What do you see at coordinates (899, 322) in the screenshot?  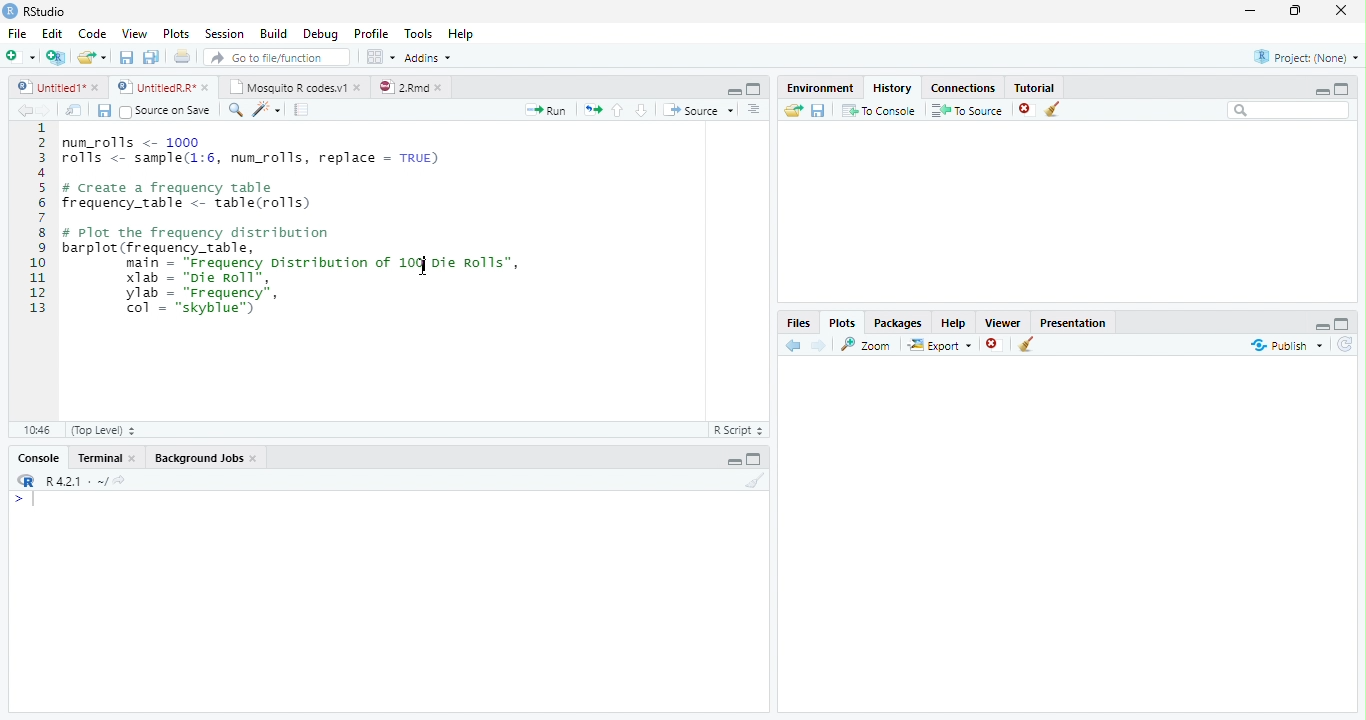 I see `Packages` at bounding box center [899, 322].